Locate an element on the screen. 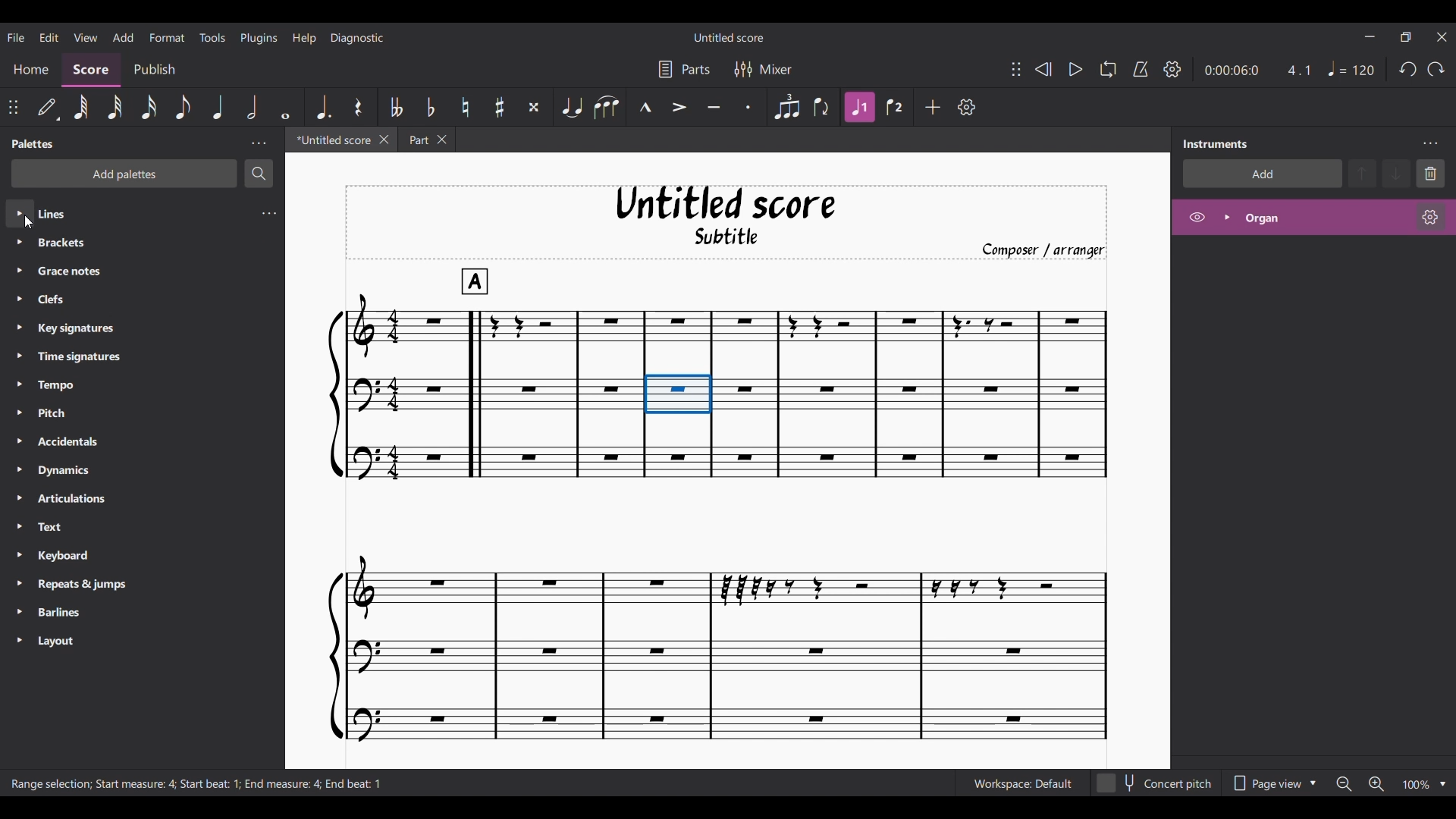  Accent is located at coordinates (679, 108).